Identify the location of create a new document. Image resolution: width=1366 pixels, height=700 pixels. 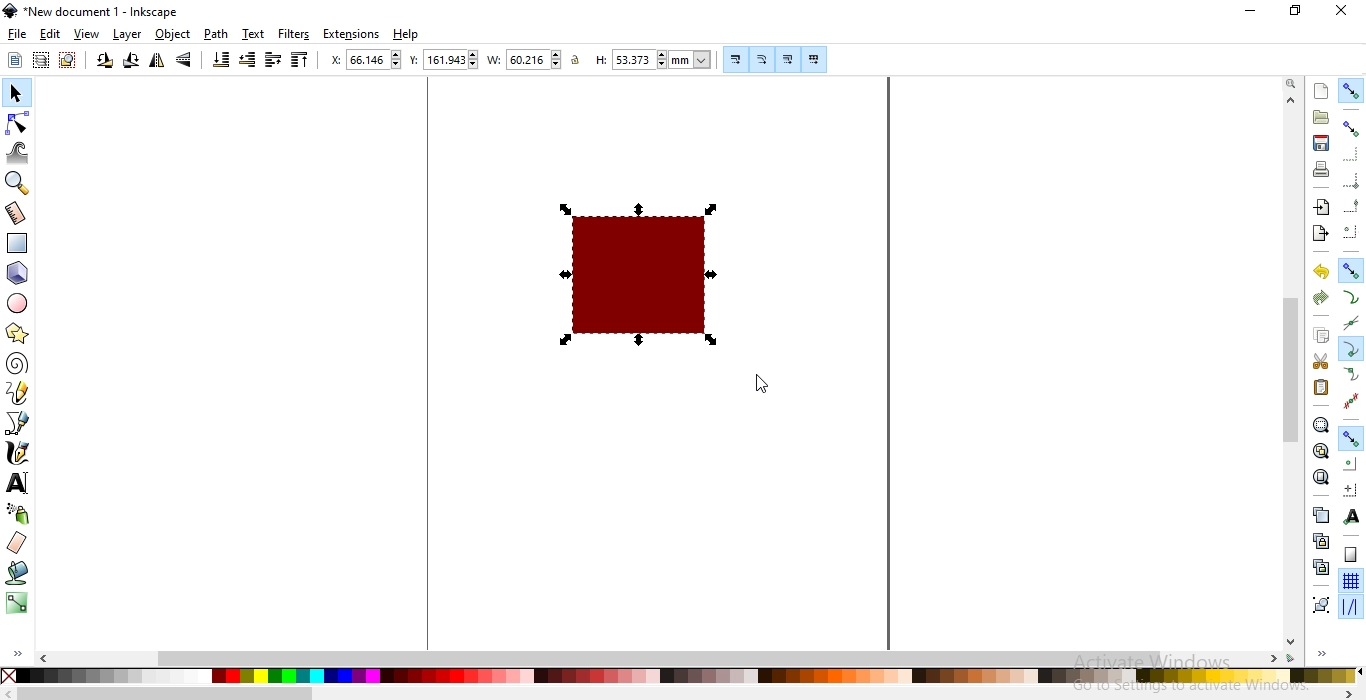
(1322, 91).